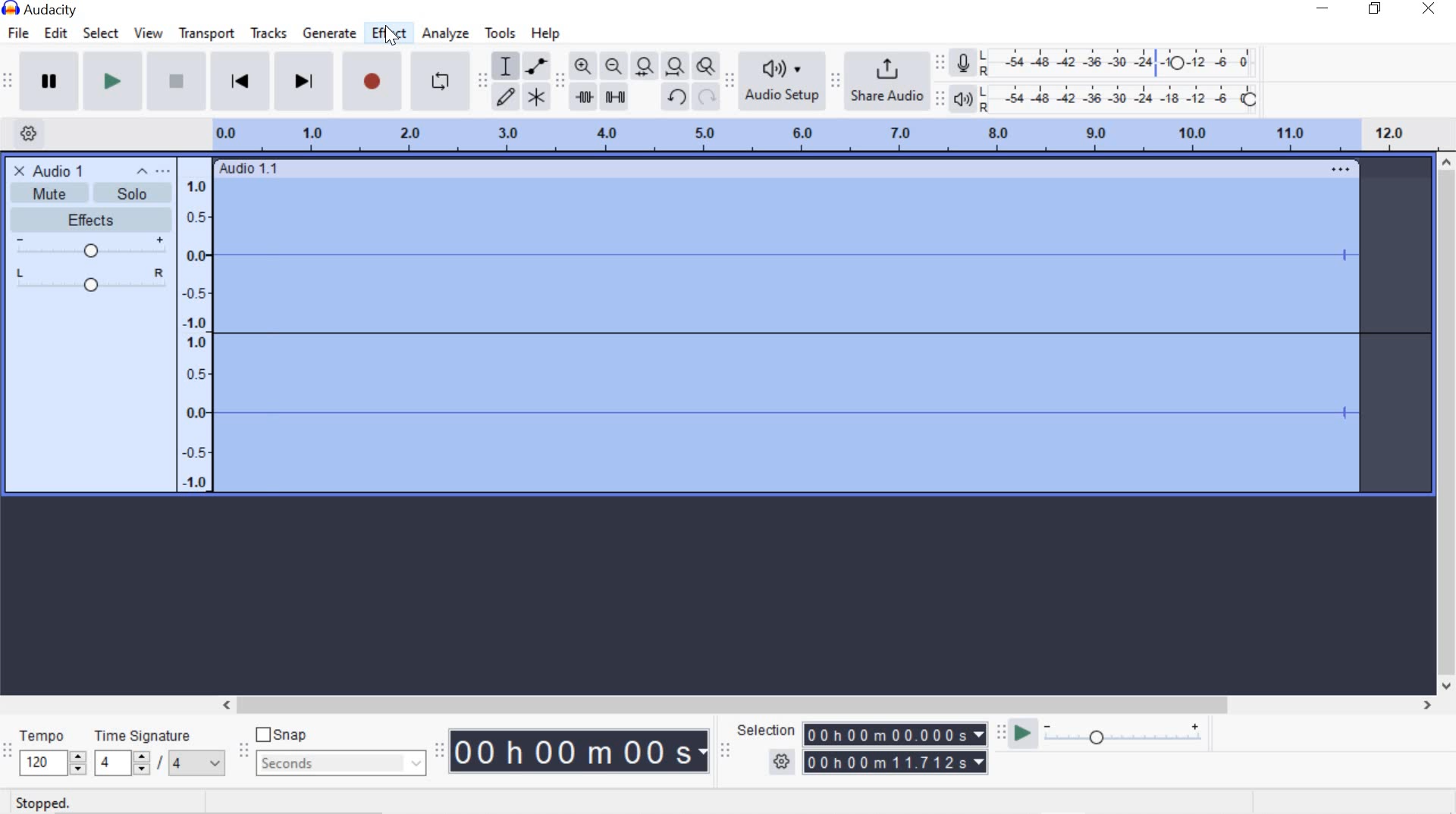 The width and height of the screenshot is (1456, 814). I want to click on Audio setup toolbar, so click(730, 82).